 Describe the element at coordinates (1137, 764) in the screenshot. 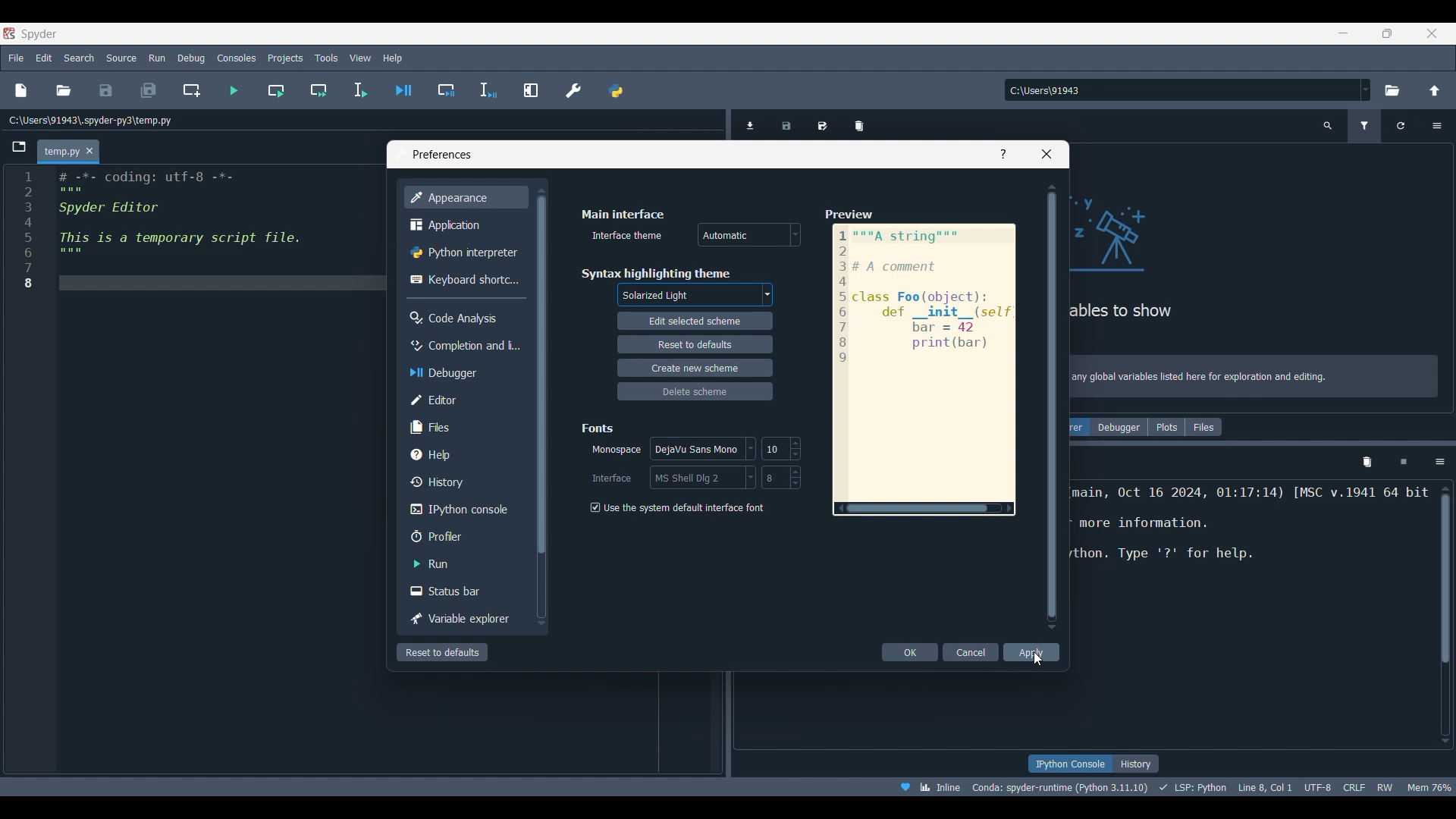

I see `History` at that location.